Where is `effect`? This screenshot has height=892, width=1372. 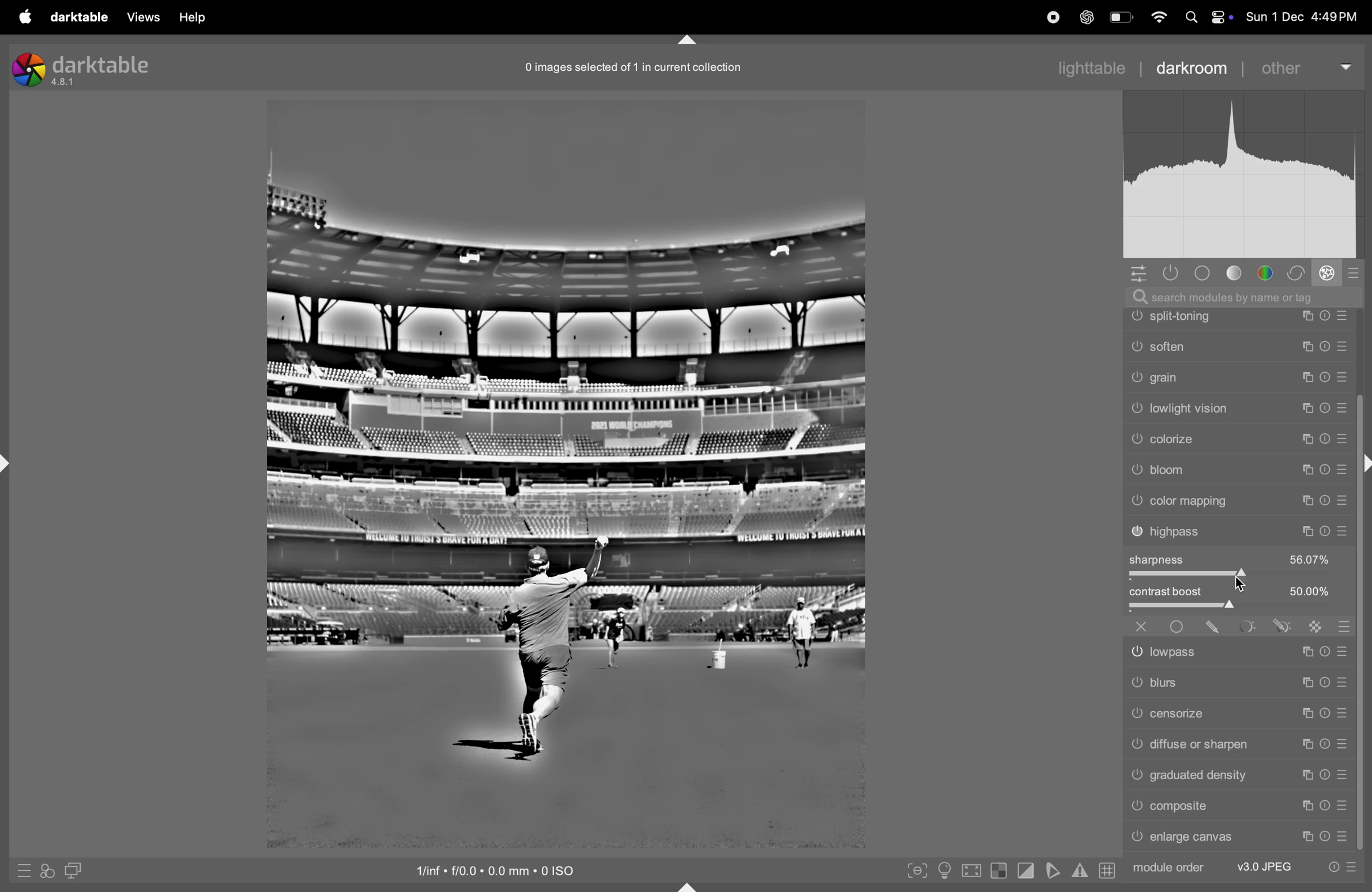
effect is located at coordinates (1327, 272).